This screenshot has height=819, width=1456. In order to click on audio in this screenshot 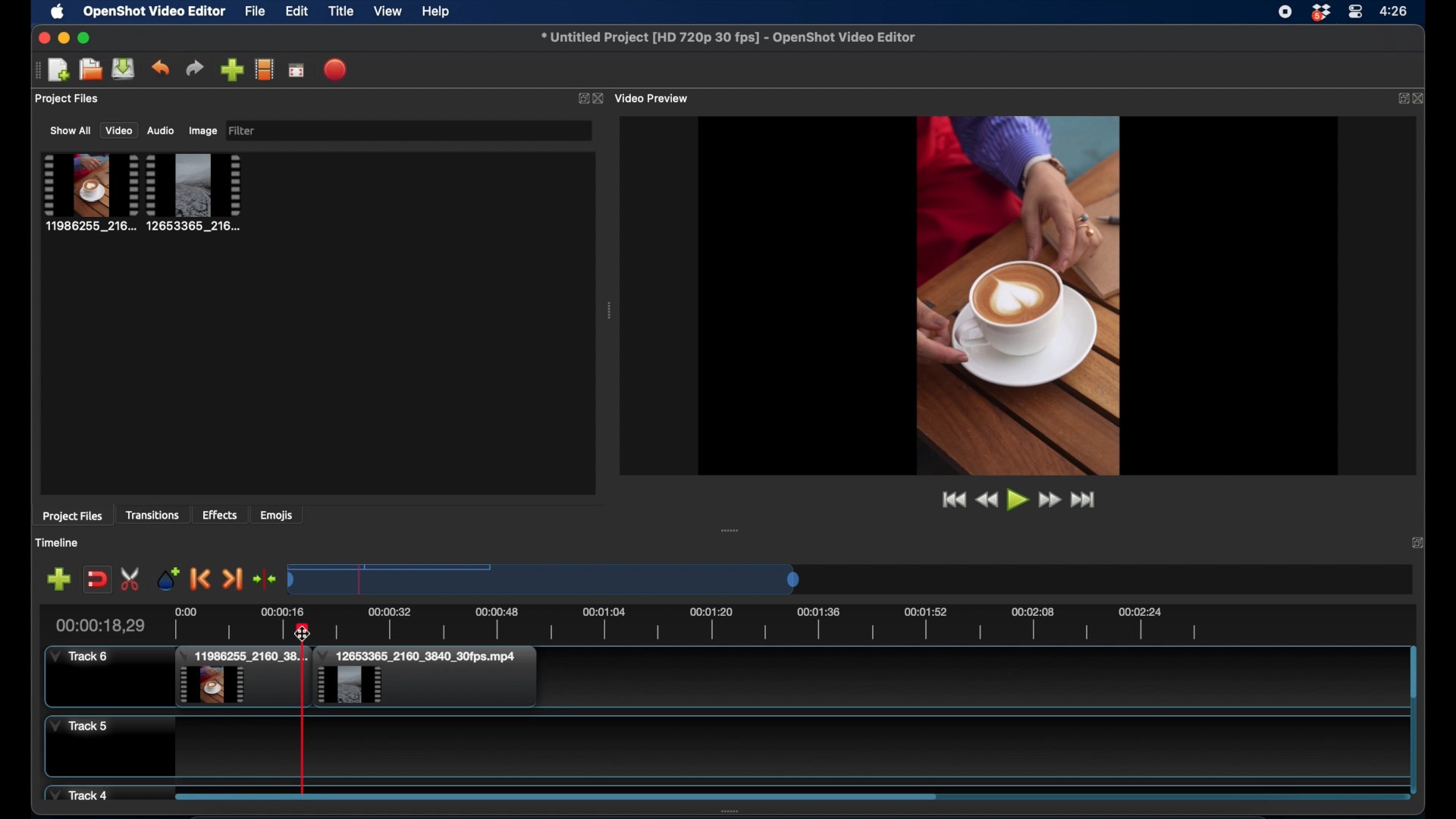, I will do `click(162, 130)`.